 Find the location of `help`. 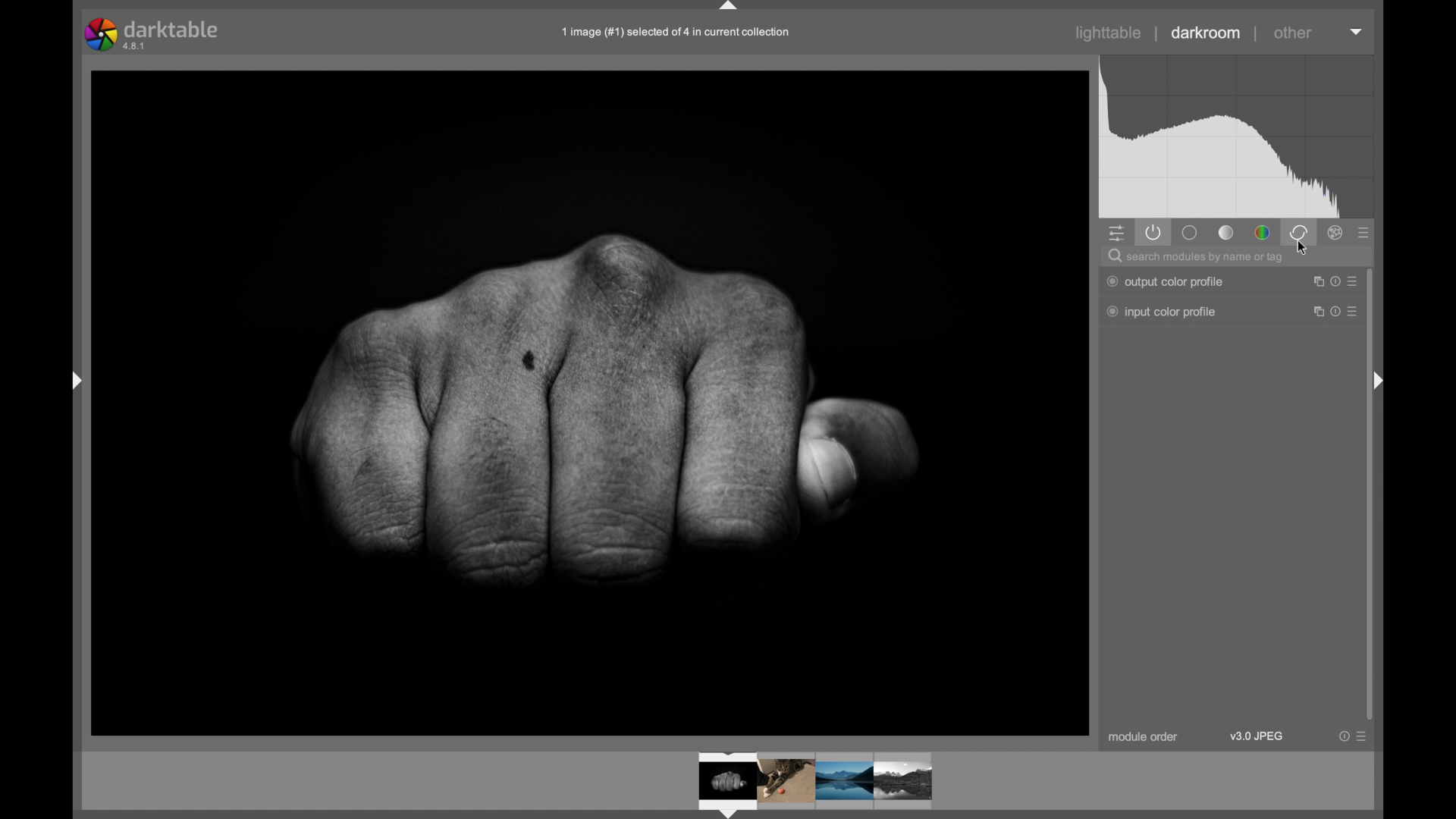

help is located at coordinates (1336, 312).